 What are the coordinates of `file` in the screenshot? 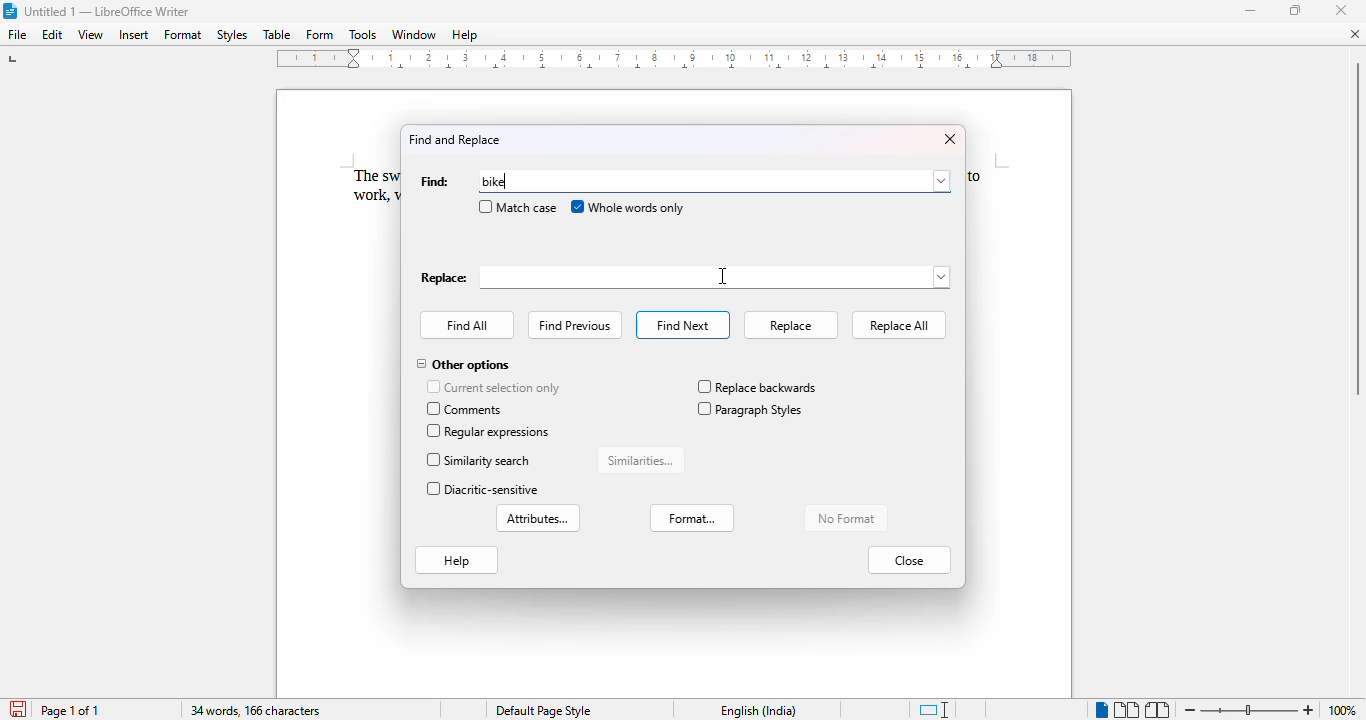 It's located at (18, 34).